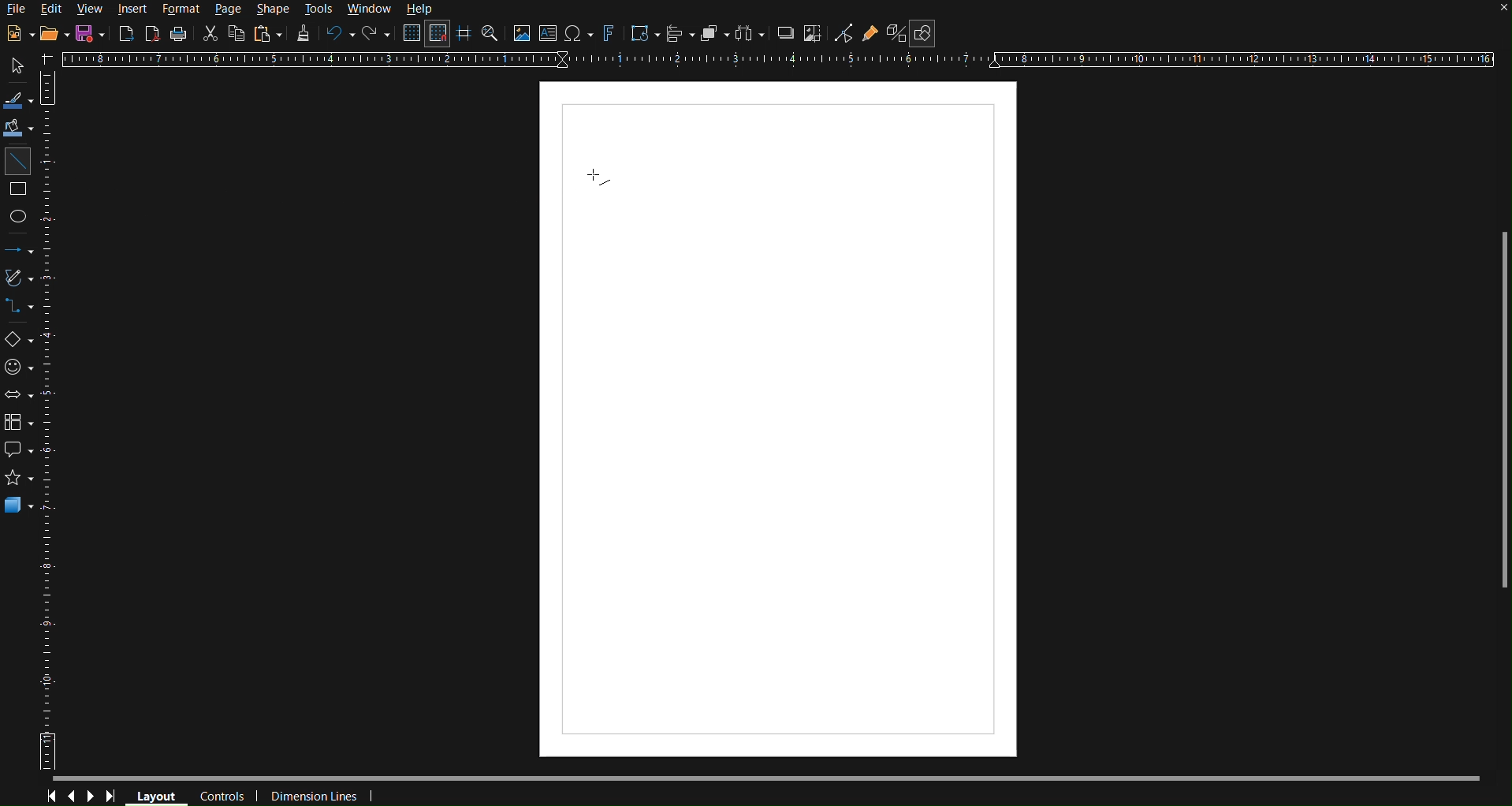 The width and height of the screenshot is (1512, 806). What do you see at coordinates (19, 215) in the screenshot?
I see `Ellipse` at bounding box center [19, 215].